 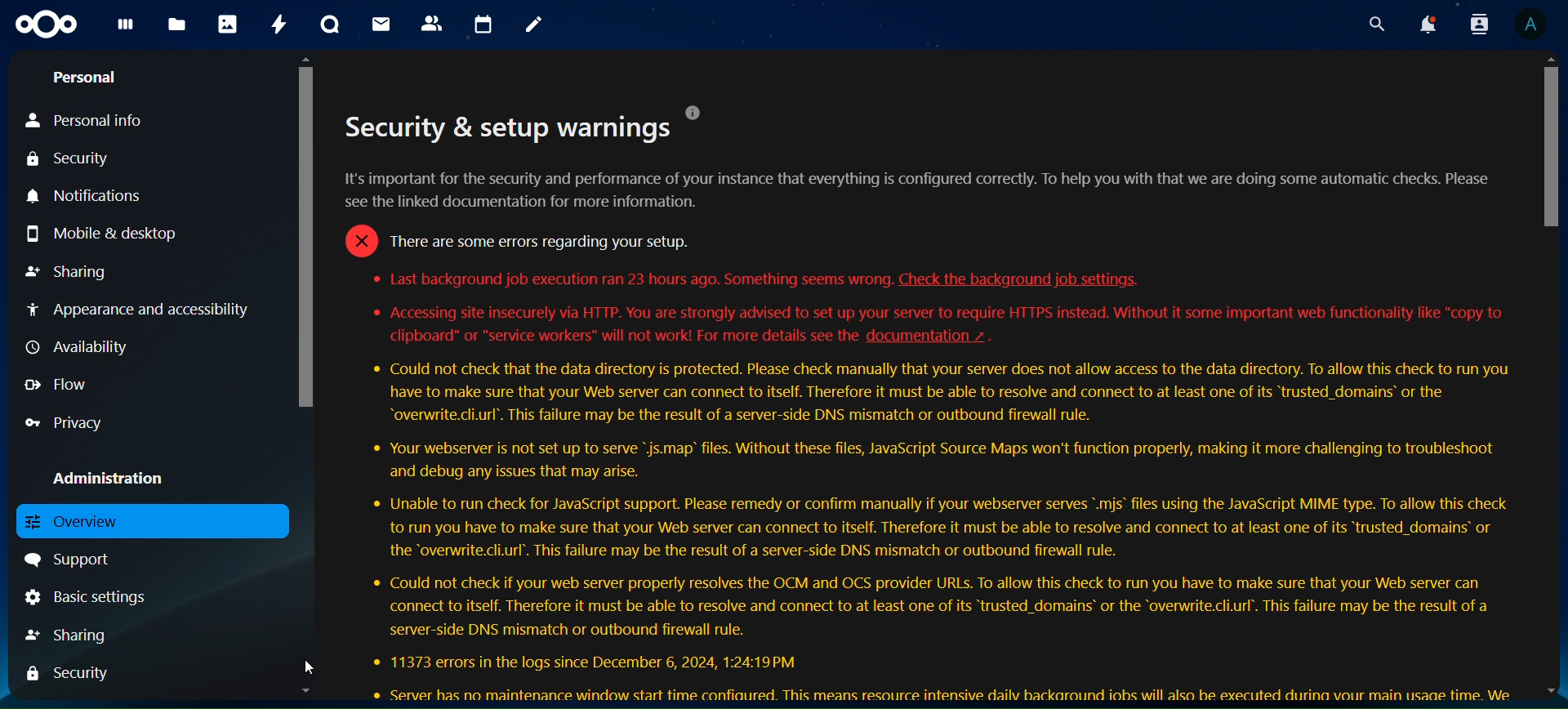 I want to click on View Profile, so click(x=1534, y=25).